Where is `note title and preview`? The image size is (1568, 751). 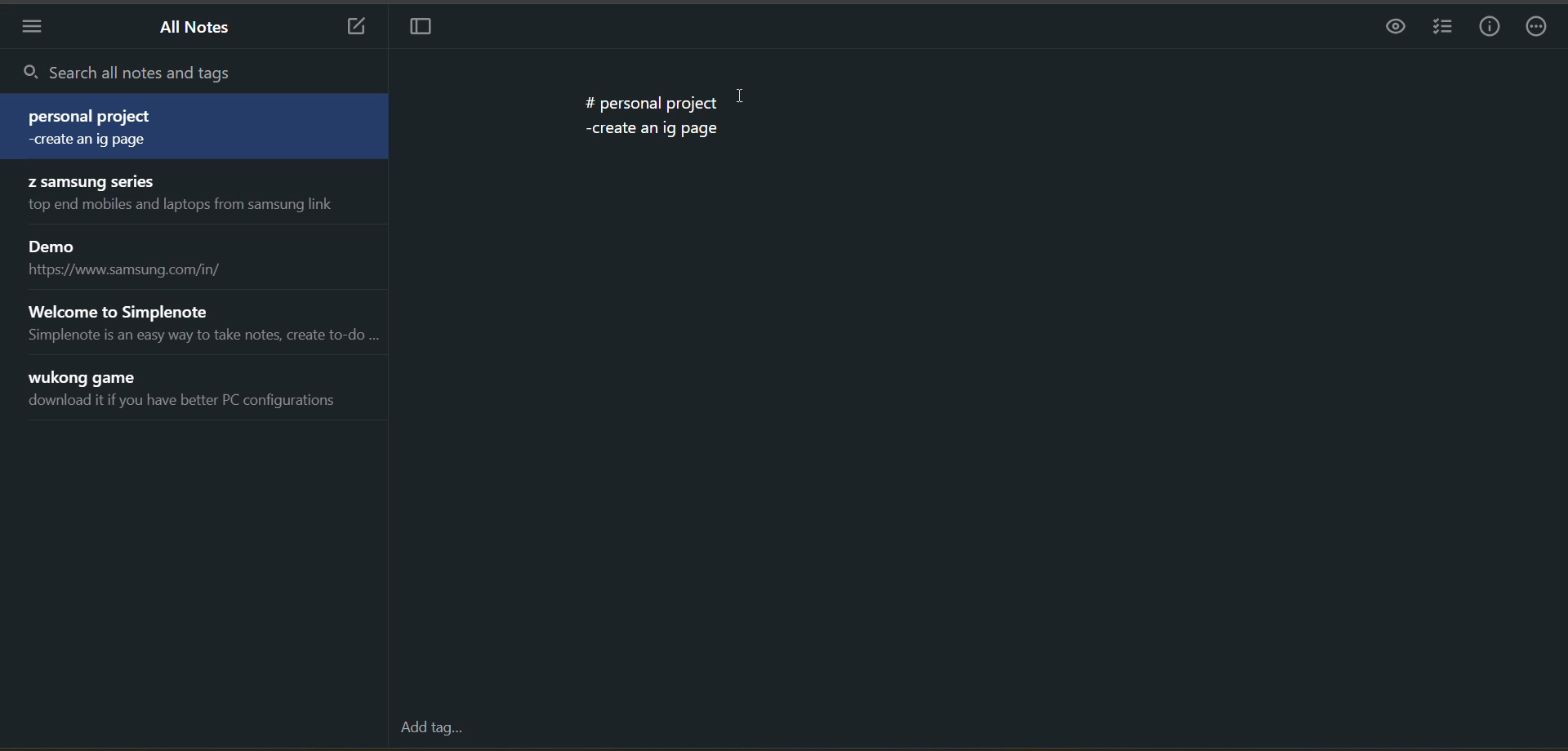
note title and preview is located at coordinates (203, 323).